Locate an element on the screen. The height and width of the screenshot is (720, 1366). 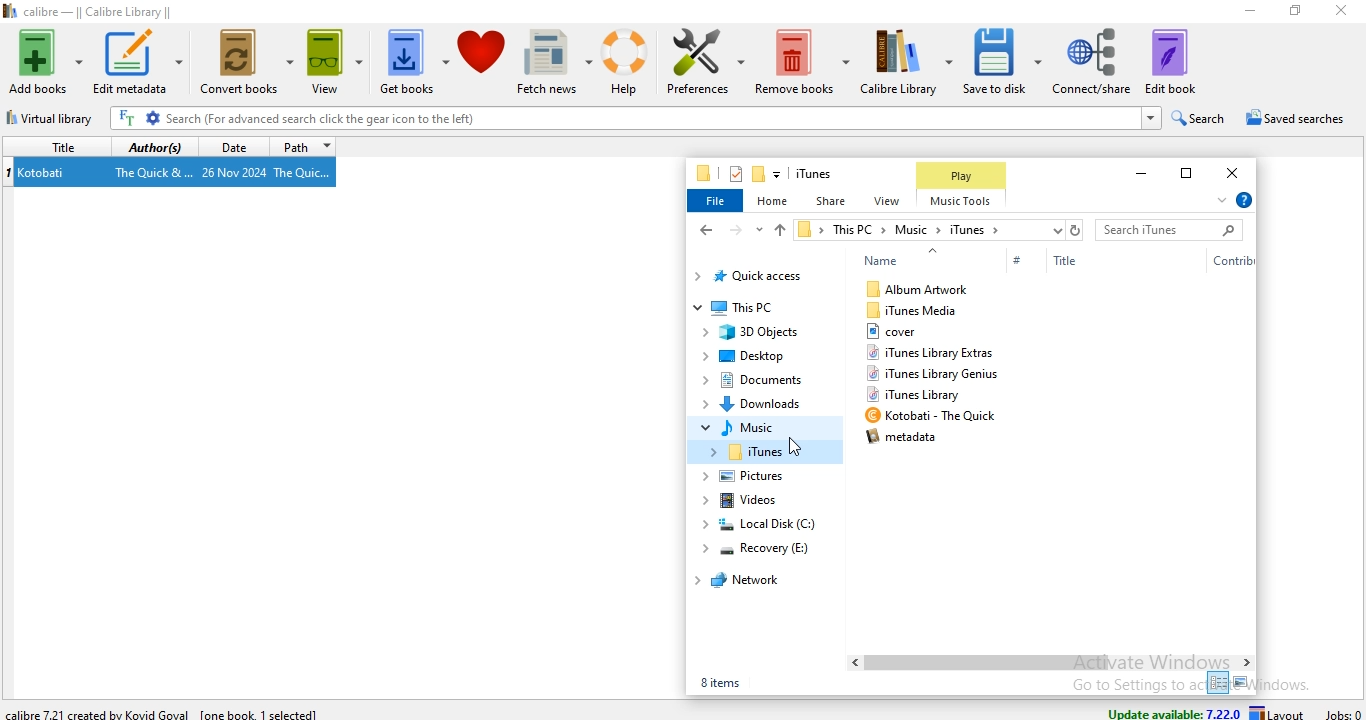
iTunes Library is located at coordinates (915, 397).